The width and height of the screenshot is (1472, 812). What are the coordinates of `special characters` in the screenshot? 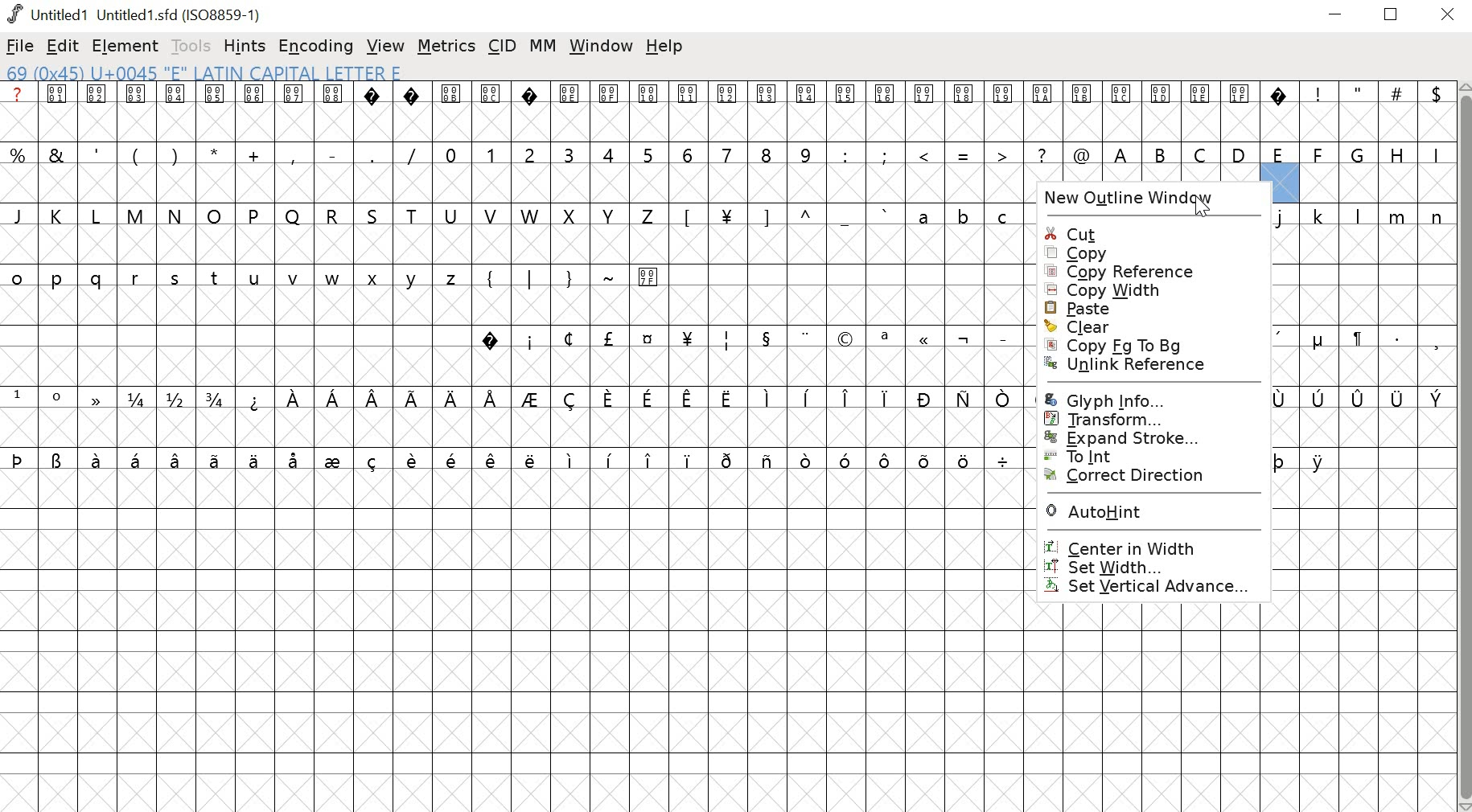 It's located at (512, 461).